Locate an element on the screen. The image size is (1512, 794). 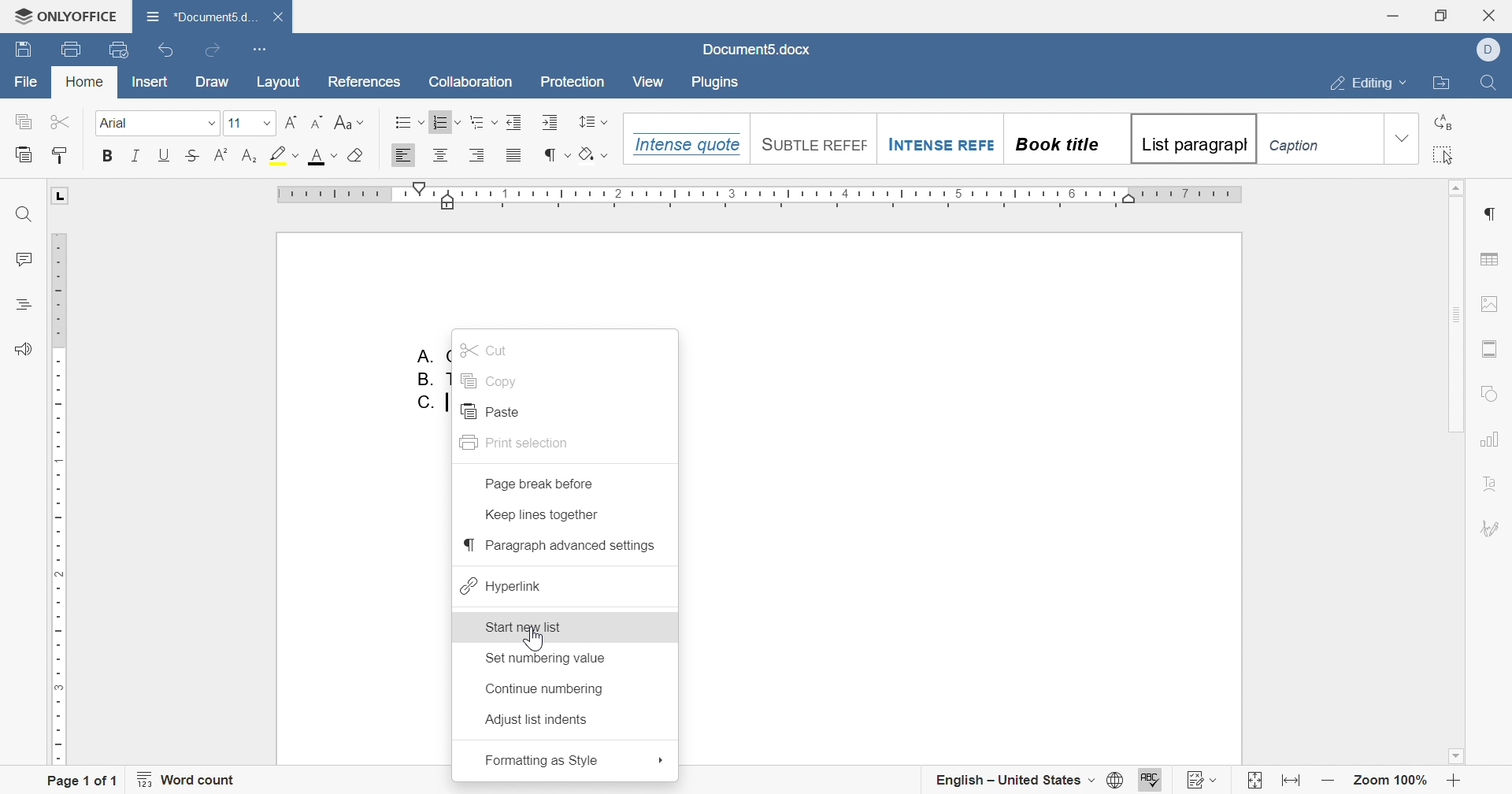
continue numbering is located at coordinates (546, 689).